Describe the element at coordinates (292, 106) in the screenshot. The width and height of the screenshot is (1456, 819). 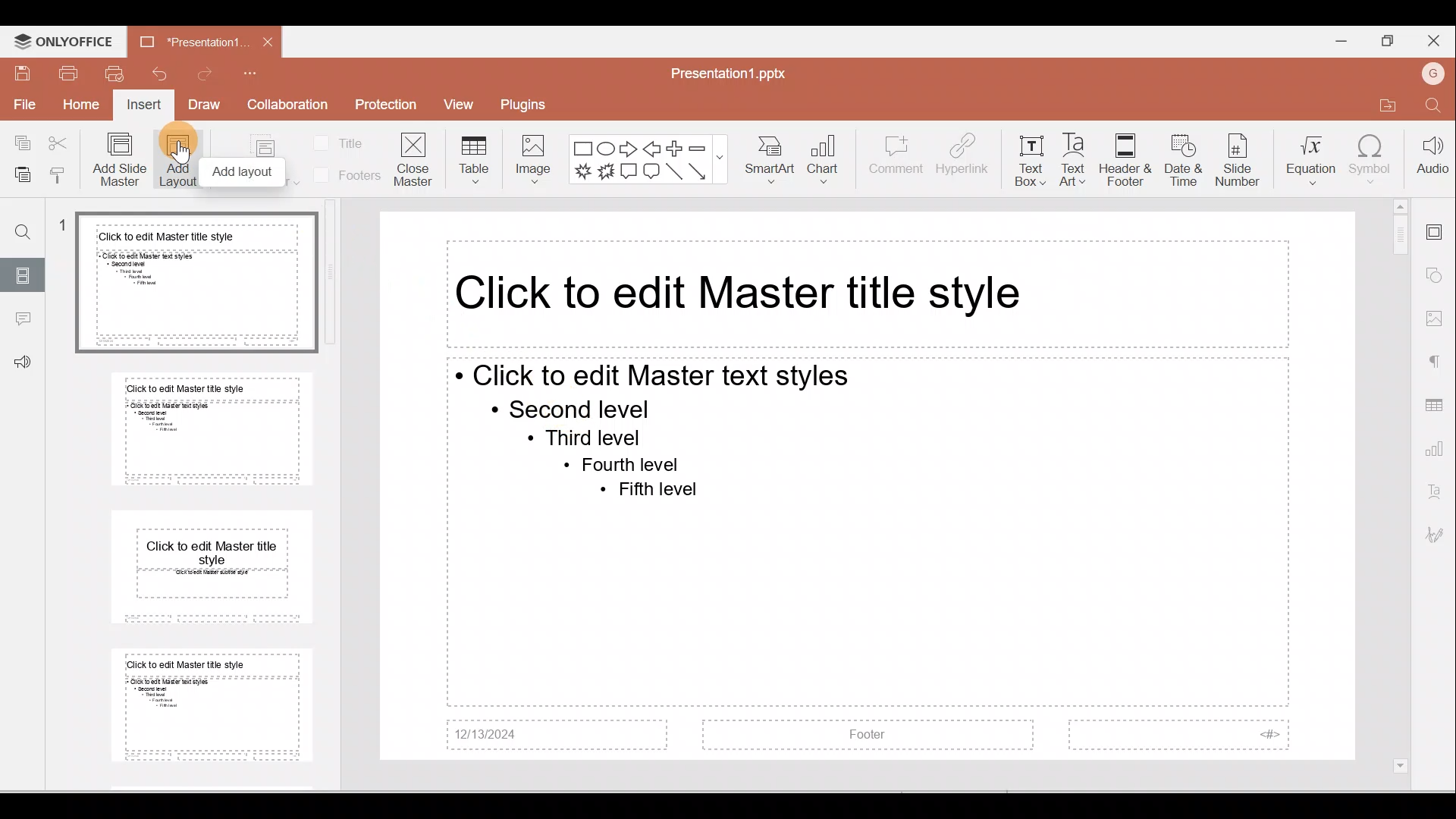
I see `Collaboration` at that location.